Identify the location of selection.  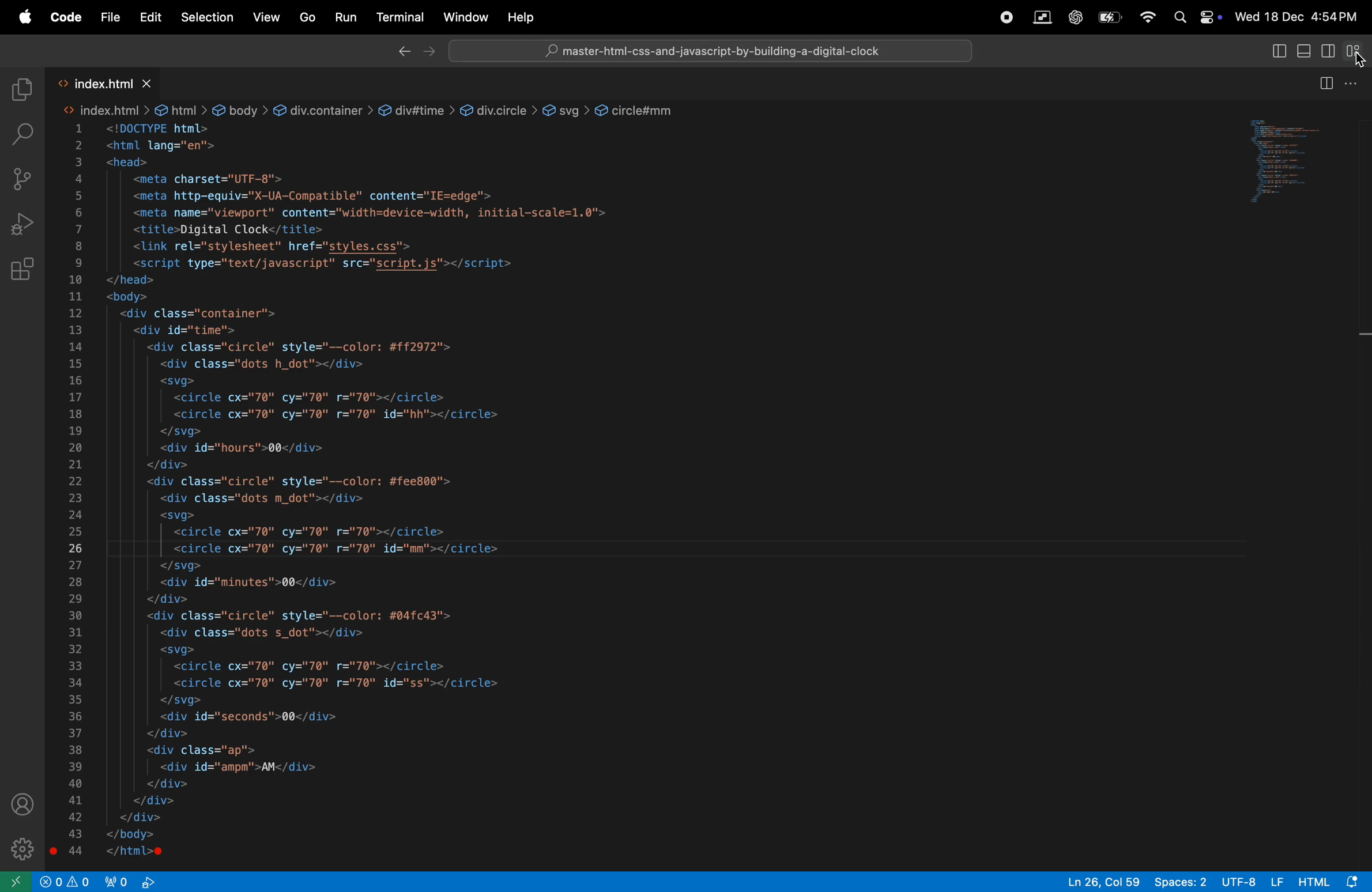
(207, 18).